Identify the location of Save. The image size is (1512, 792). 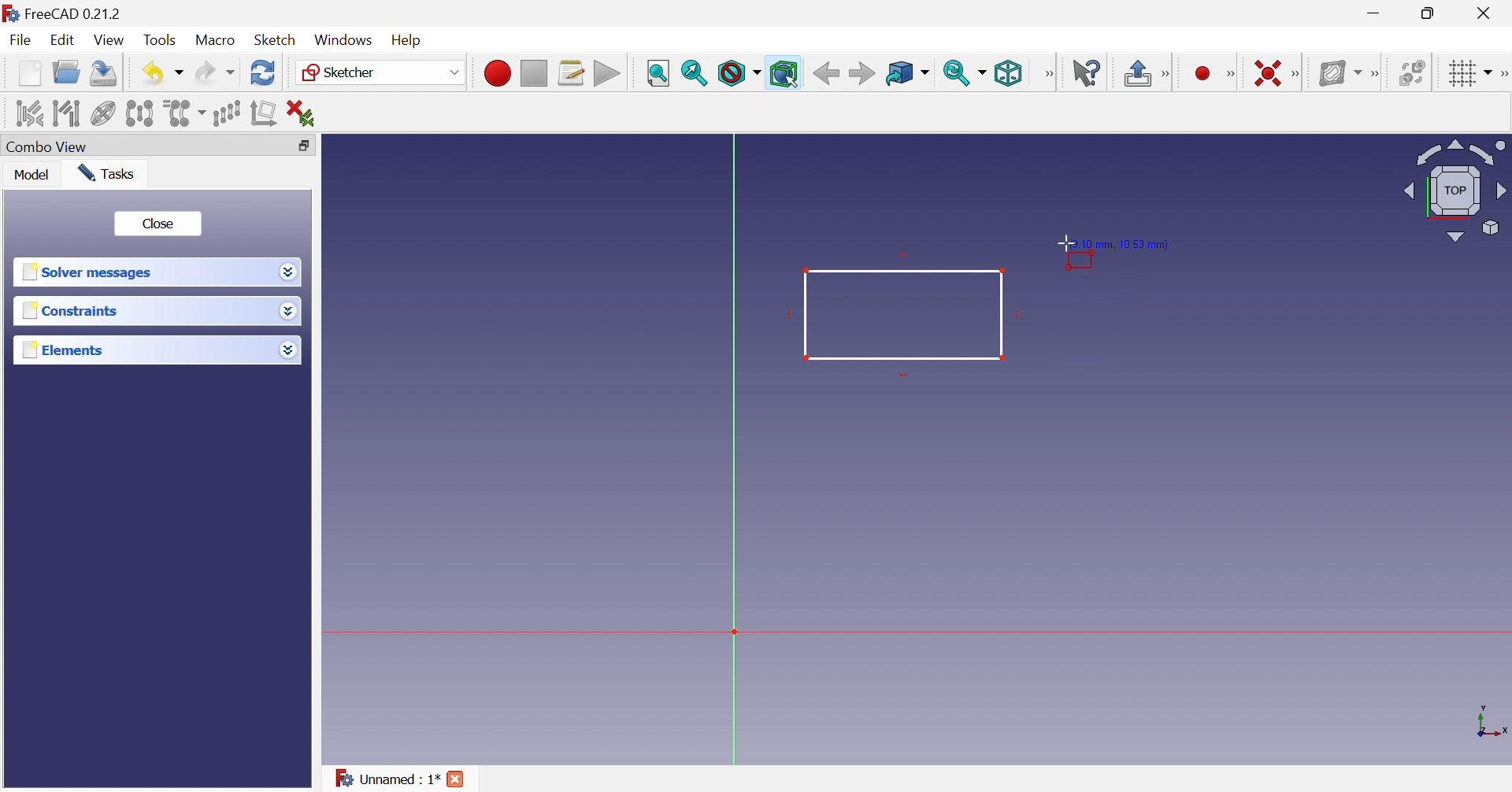
(161, 73).